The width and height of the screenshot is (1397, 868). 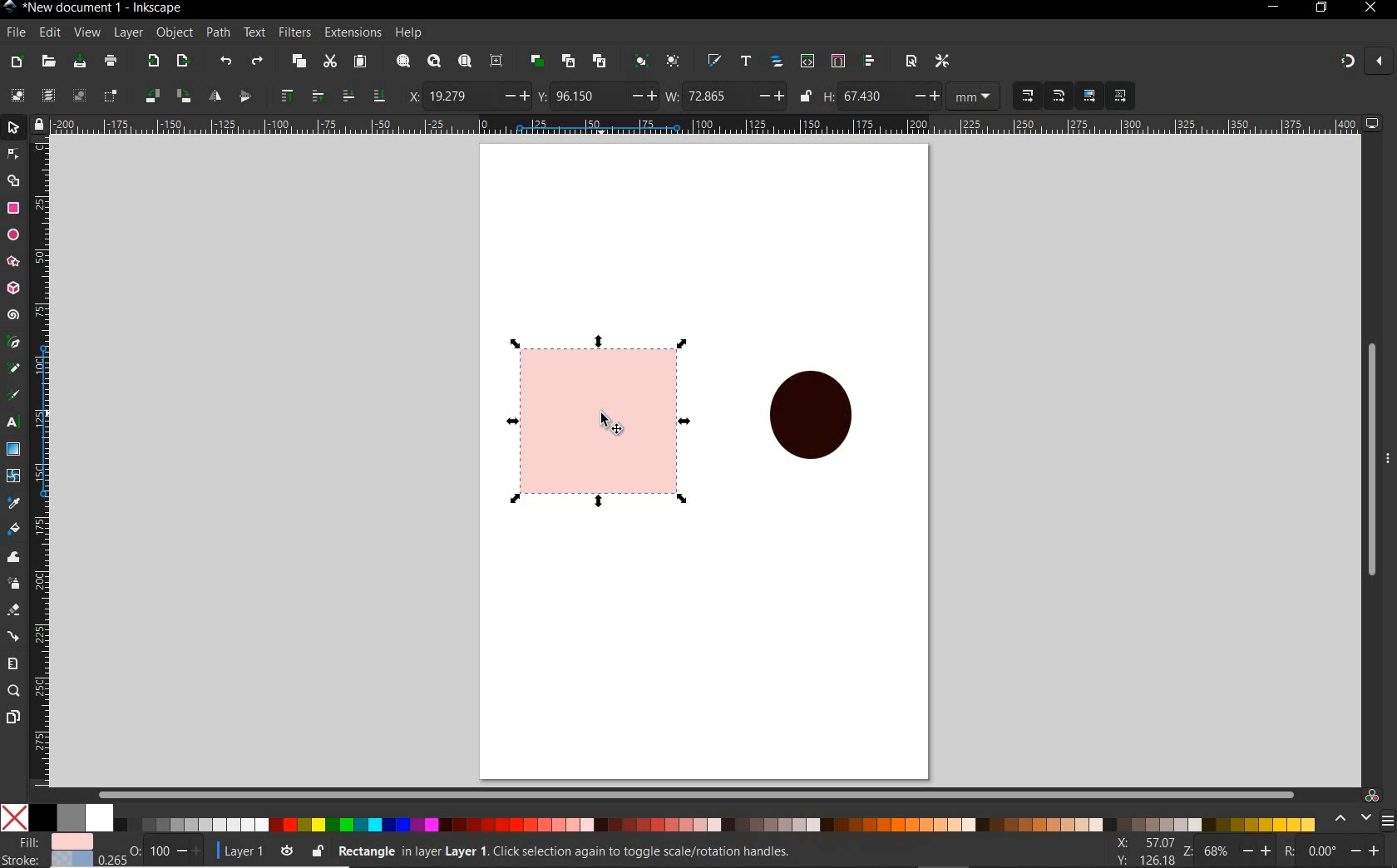 I want to click on open align and distribu, so click(x=869, y=62).